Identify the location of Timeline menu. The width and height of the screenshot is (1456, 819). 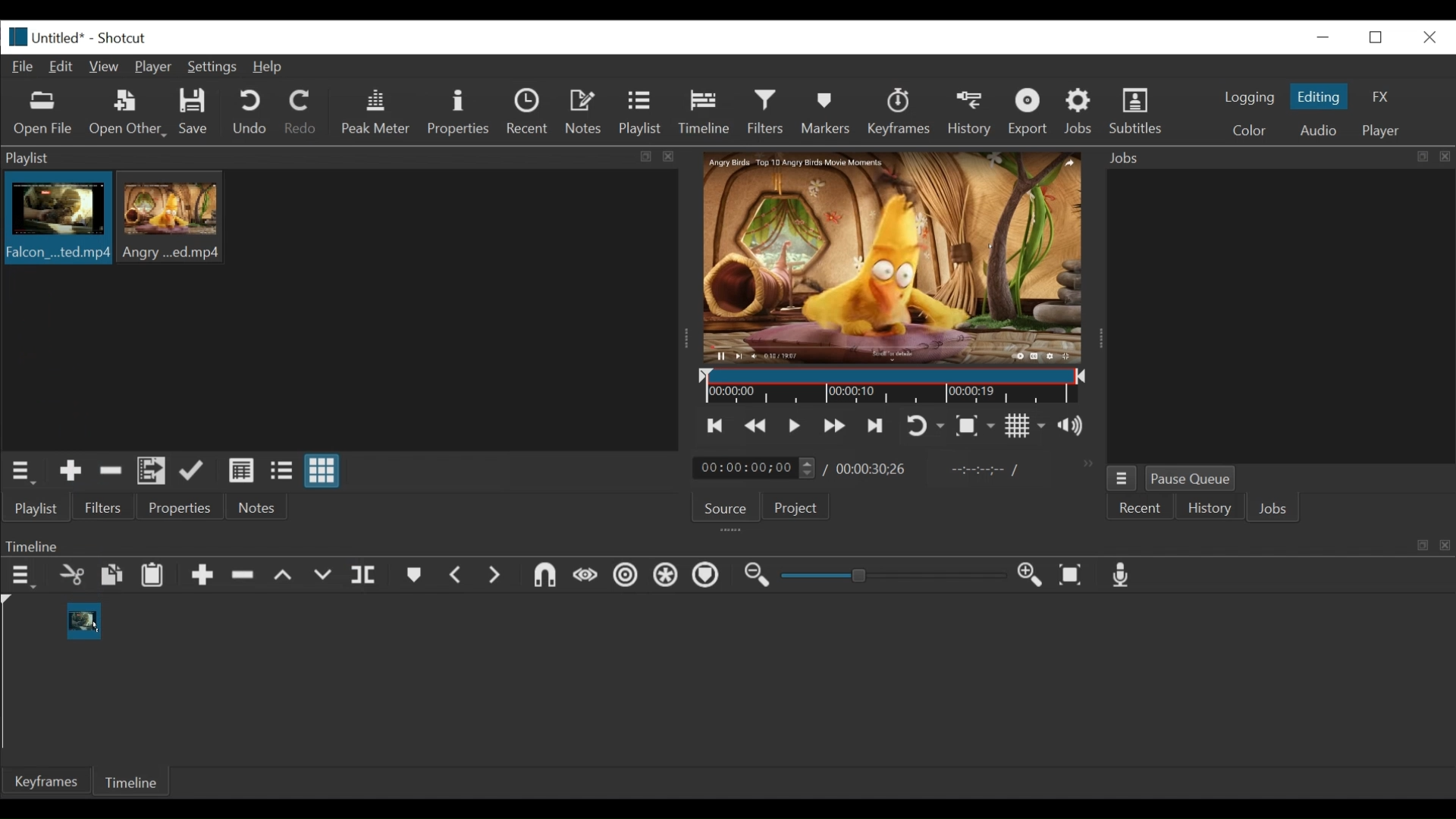
(25, 576).